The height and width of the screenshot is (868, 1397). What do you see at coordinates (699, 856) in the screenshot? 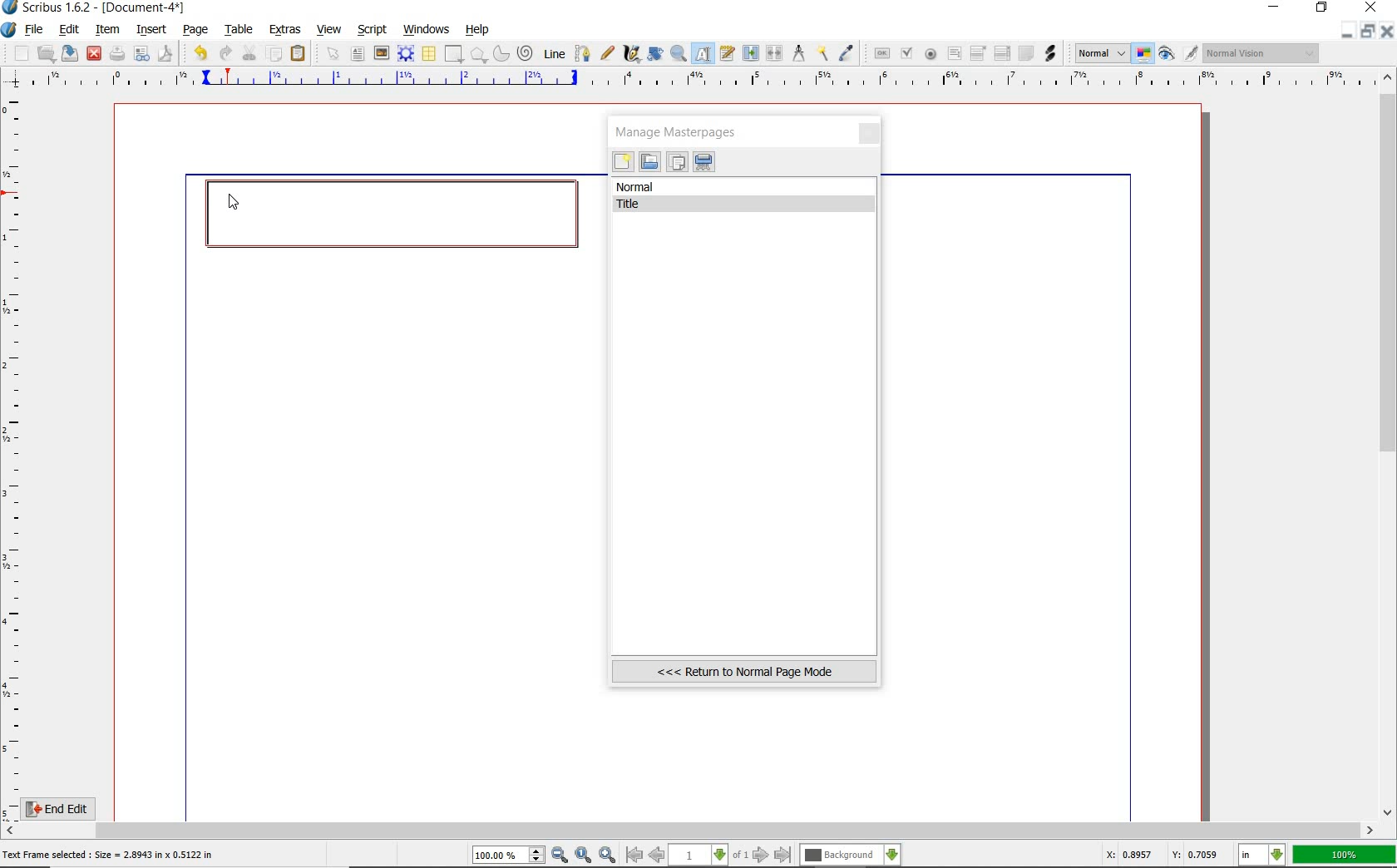
I see `1` at bounding box center [699, 856].